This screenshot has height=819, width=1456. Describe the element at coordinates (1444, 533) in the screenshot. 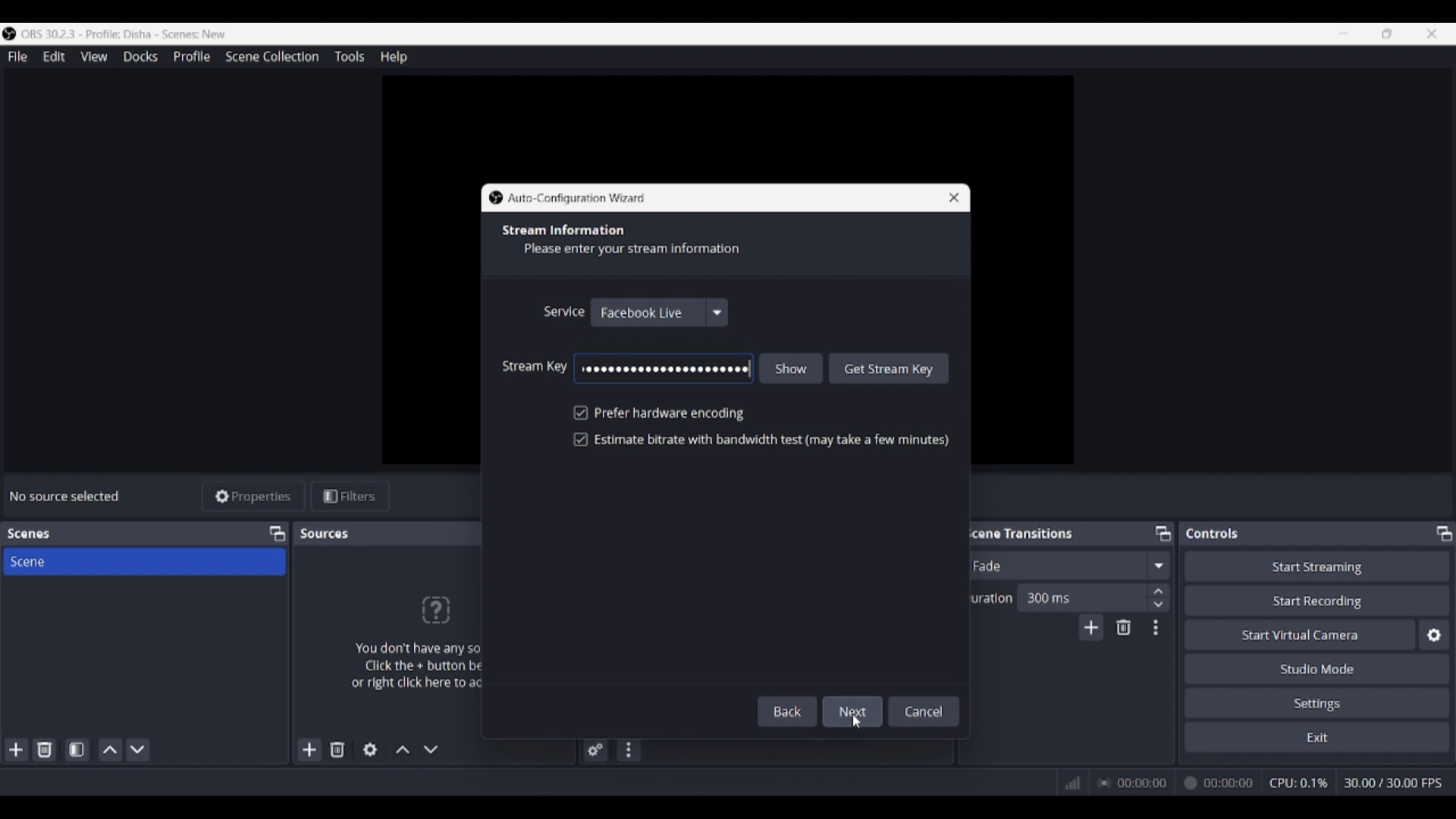

I see `Float controls panel` at that location.